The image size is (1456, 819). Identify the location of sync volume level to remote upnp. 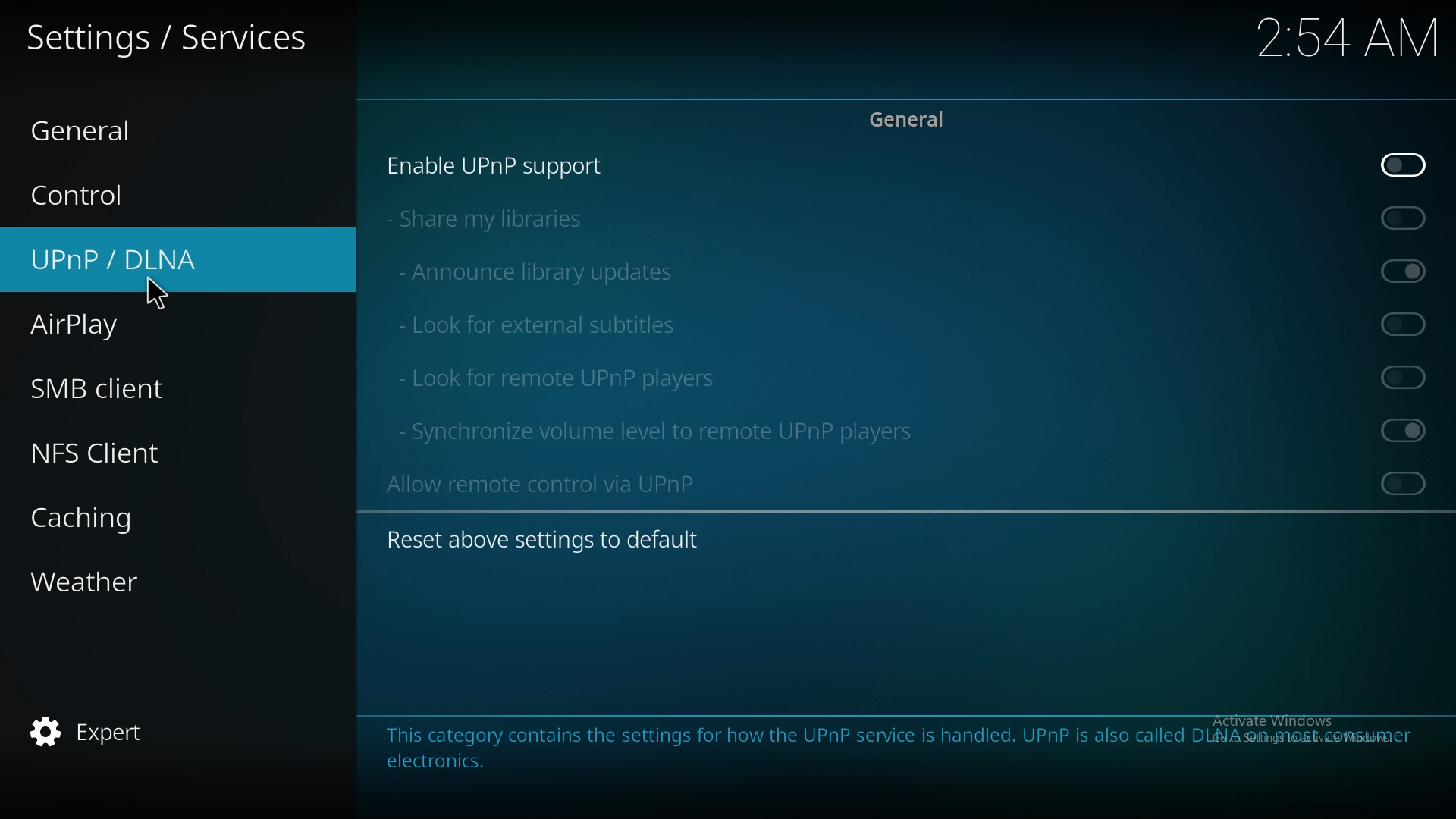
(674, 430).